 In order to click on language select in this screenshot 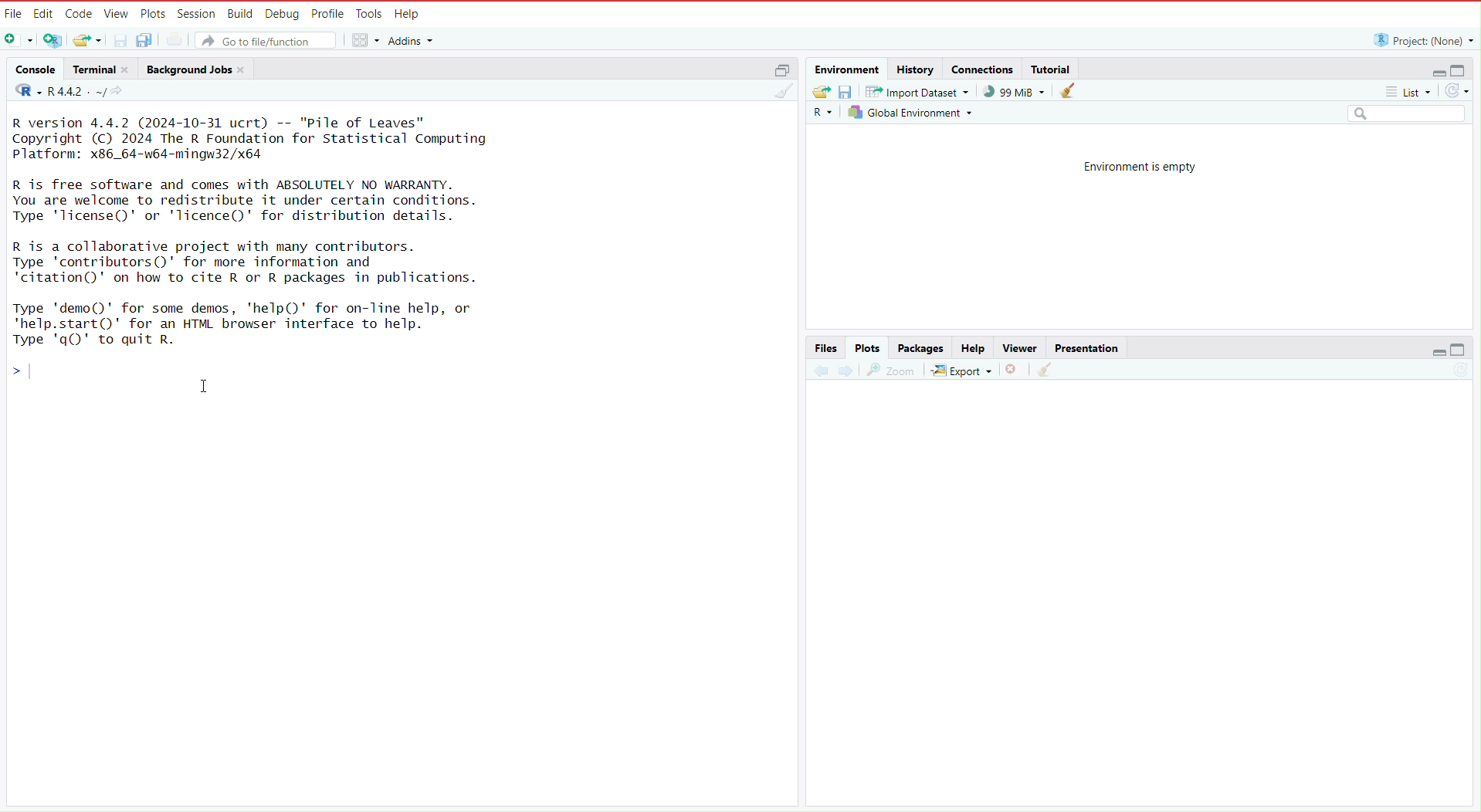, I will do `click(822, 115)`.